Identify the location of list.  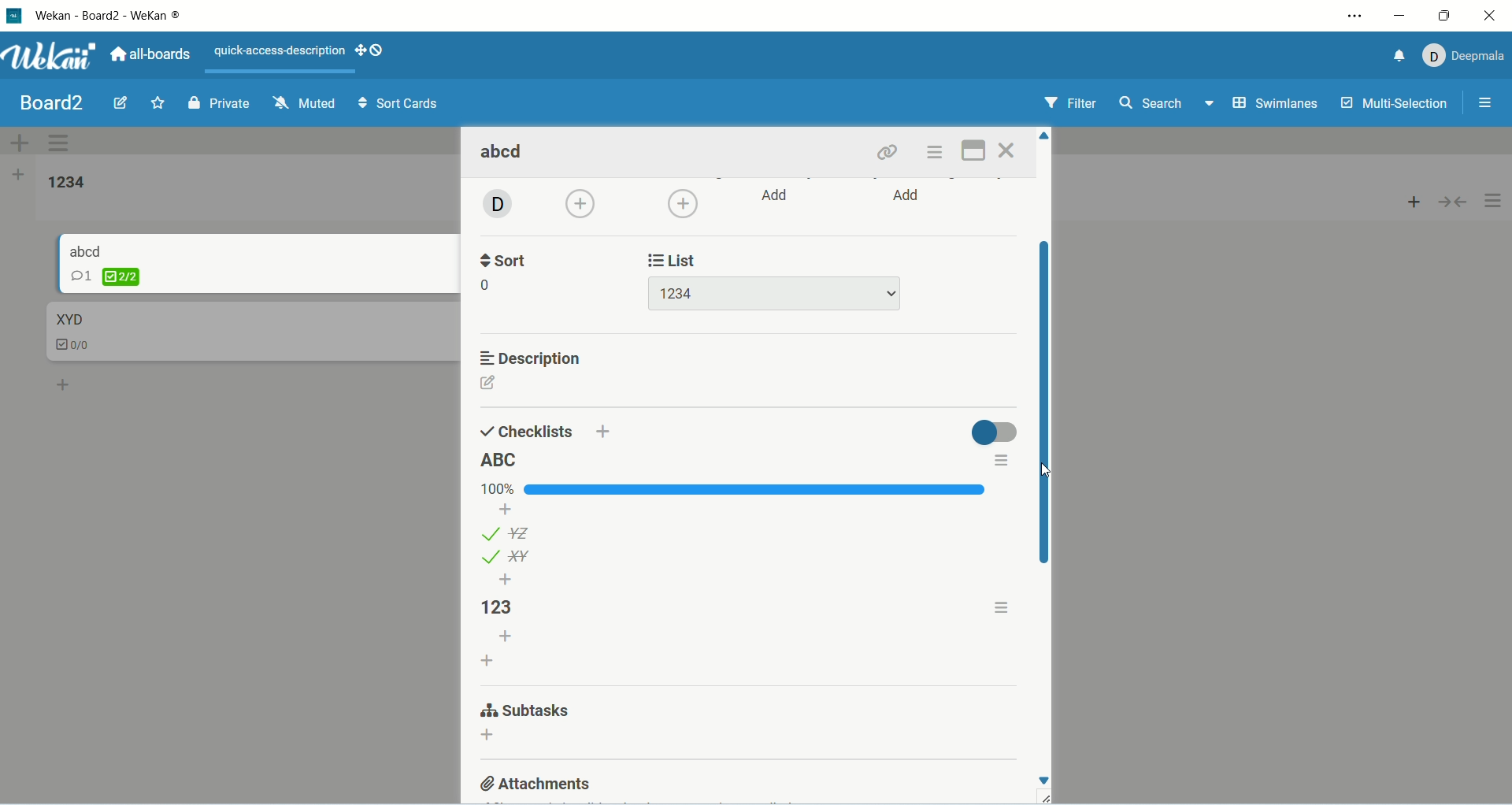
(506, 557).